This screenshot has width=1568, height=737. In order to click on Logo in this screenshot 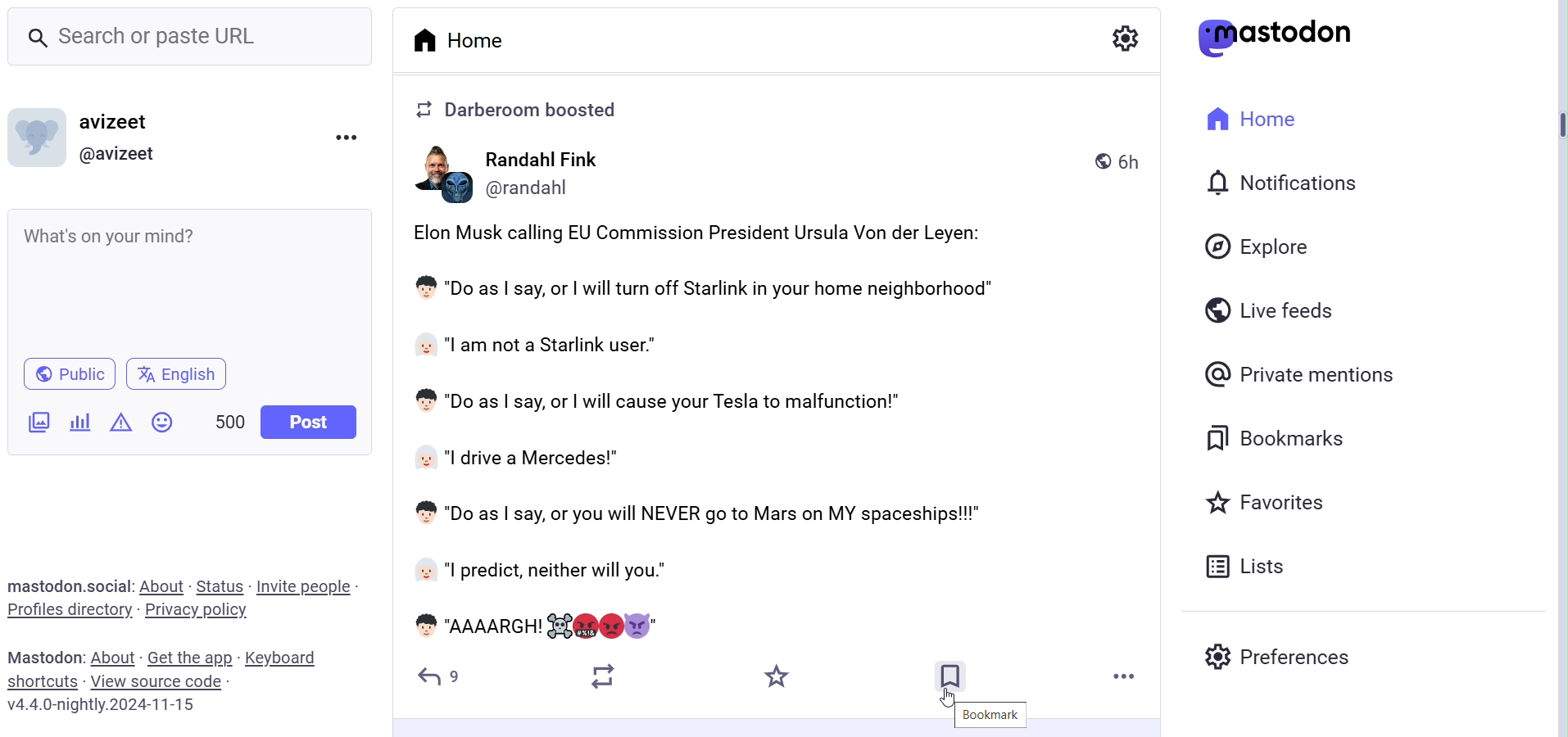, I will do `click(1282, 36)`.